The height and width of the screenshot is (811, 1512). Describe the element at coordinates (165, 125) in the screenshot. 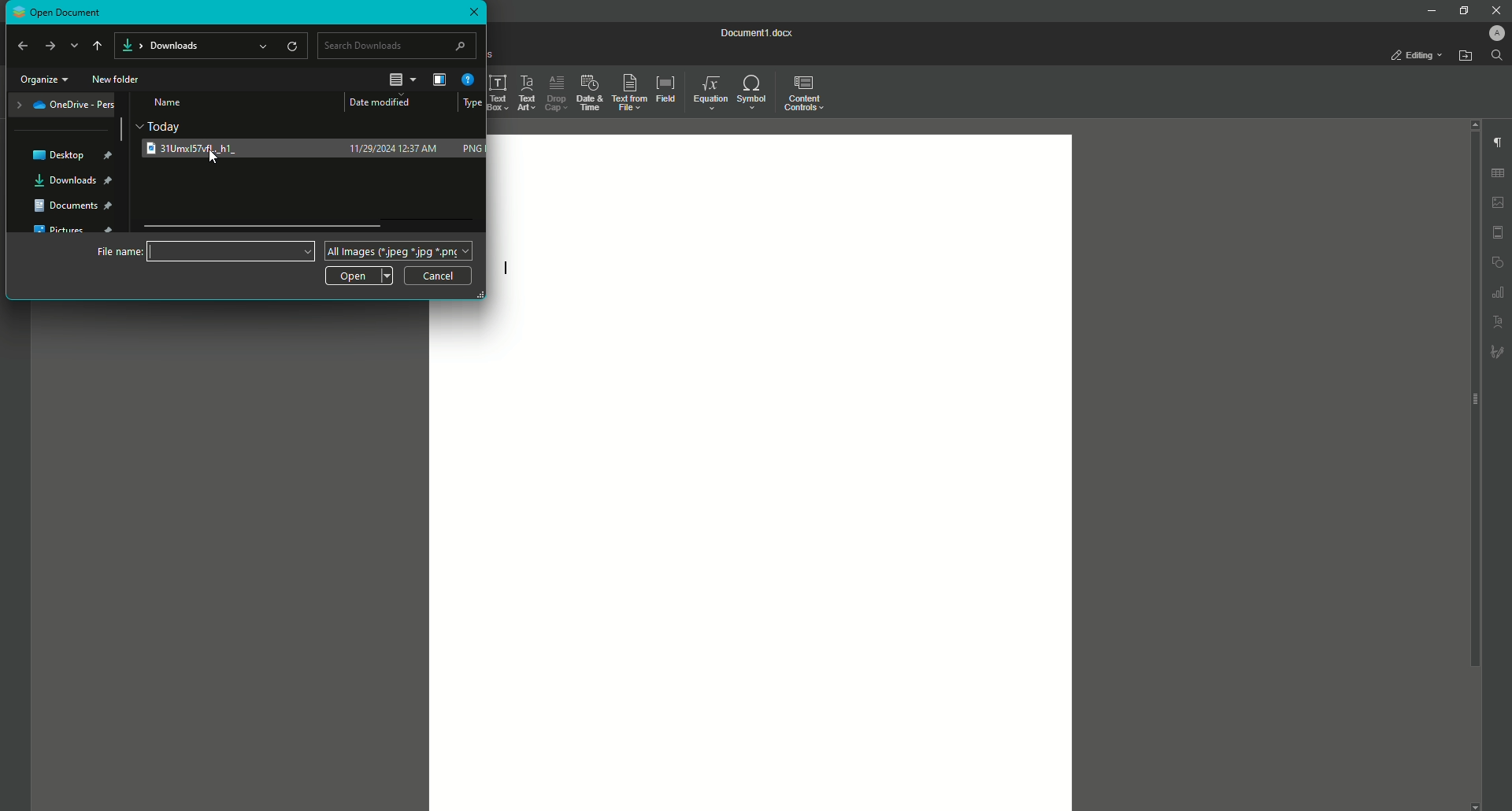

I see `Today` at that location.